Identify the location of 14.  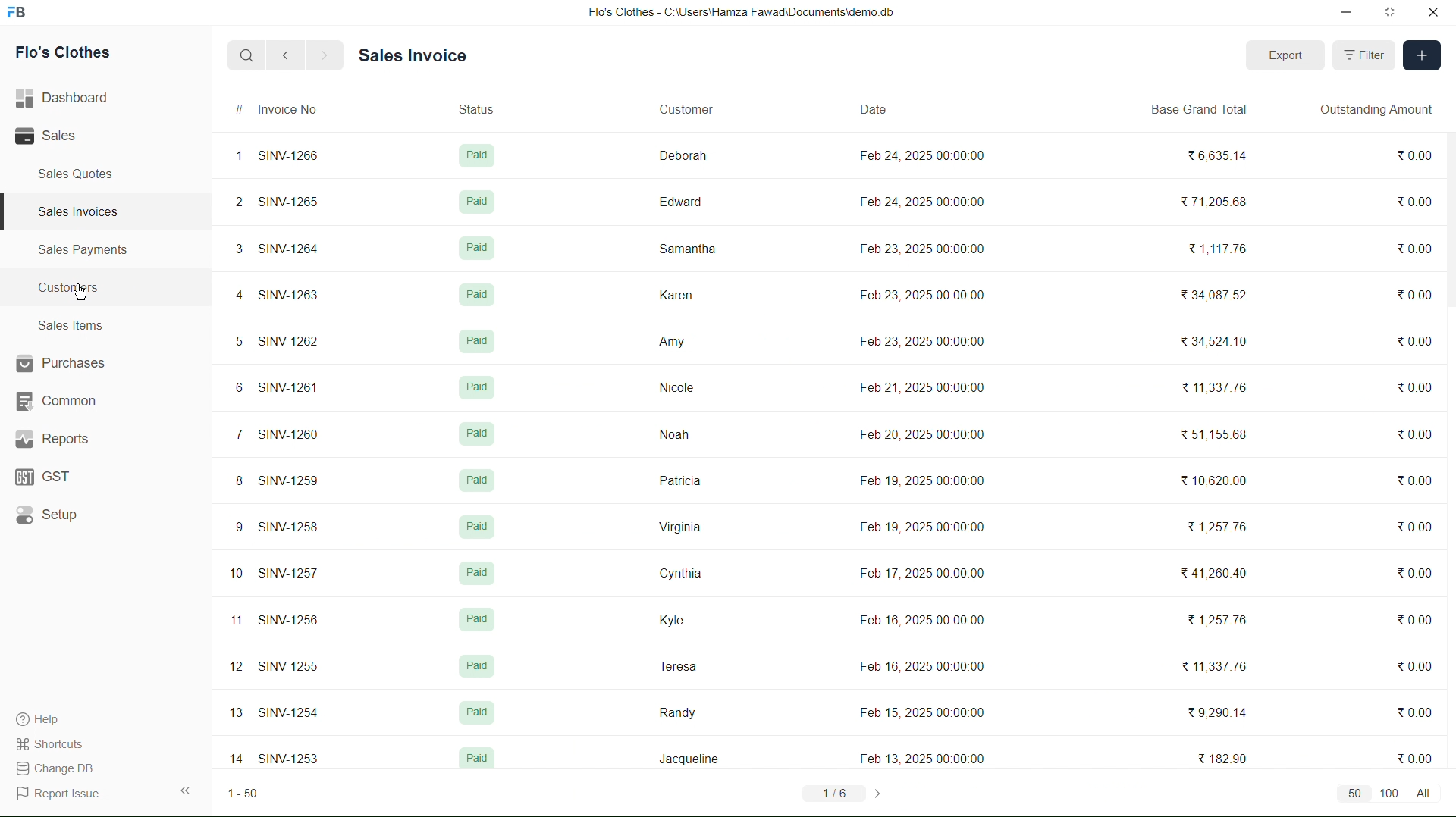
(232, 757).